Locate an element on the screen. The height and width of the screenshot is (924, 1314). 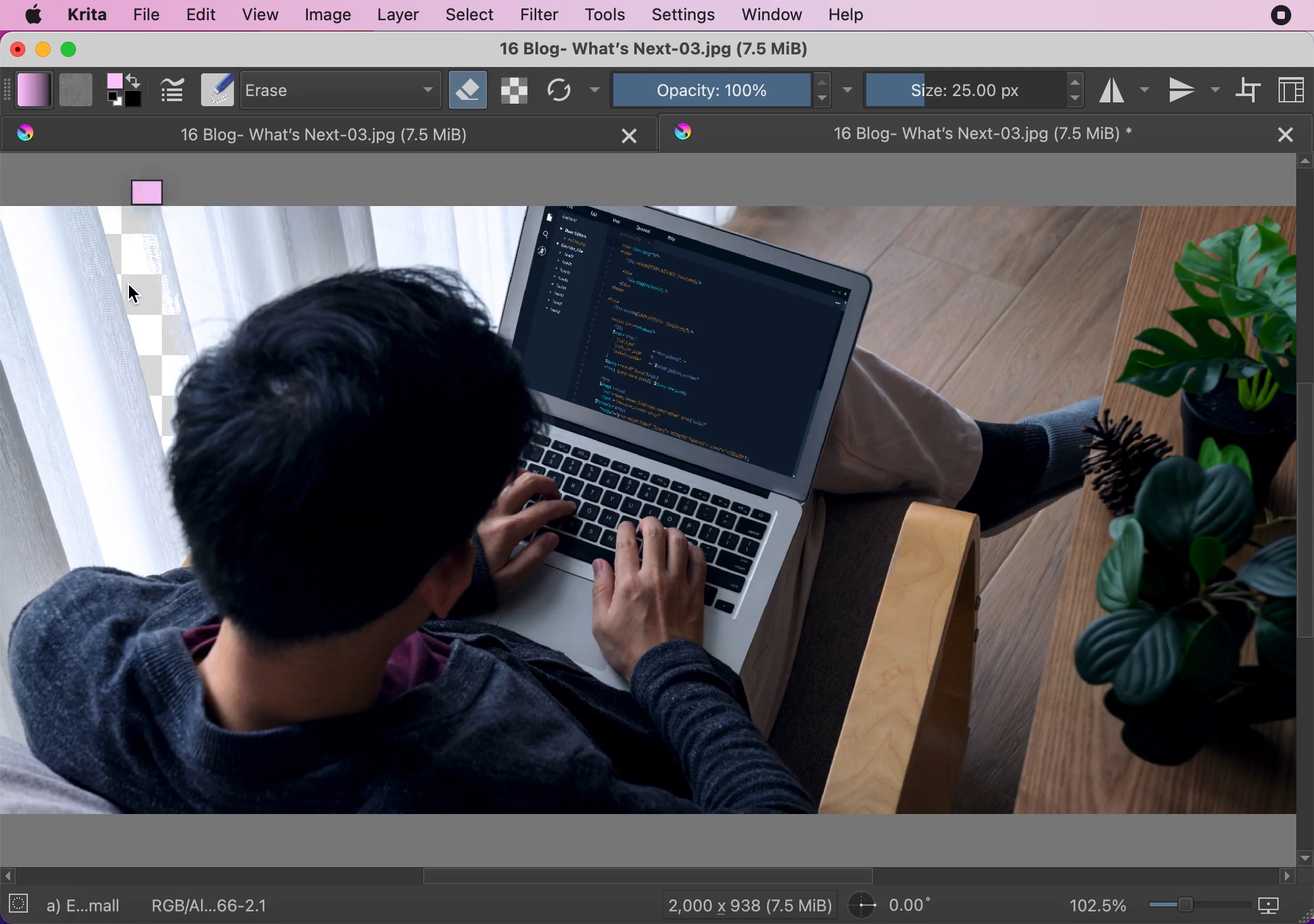
help is located at coordinates (847, 16).